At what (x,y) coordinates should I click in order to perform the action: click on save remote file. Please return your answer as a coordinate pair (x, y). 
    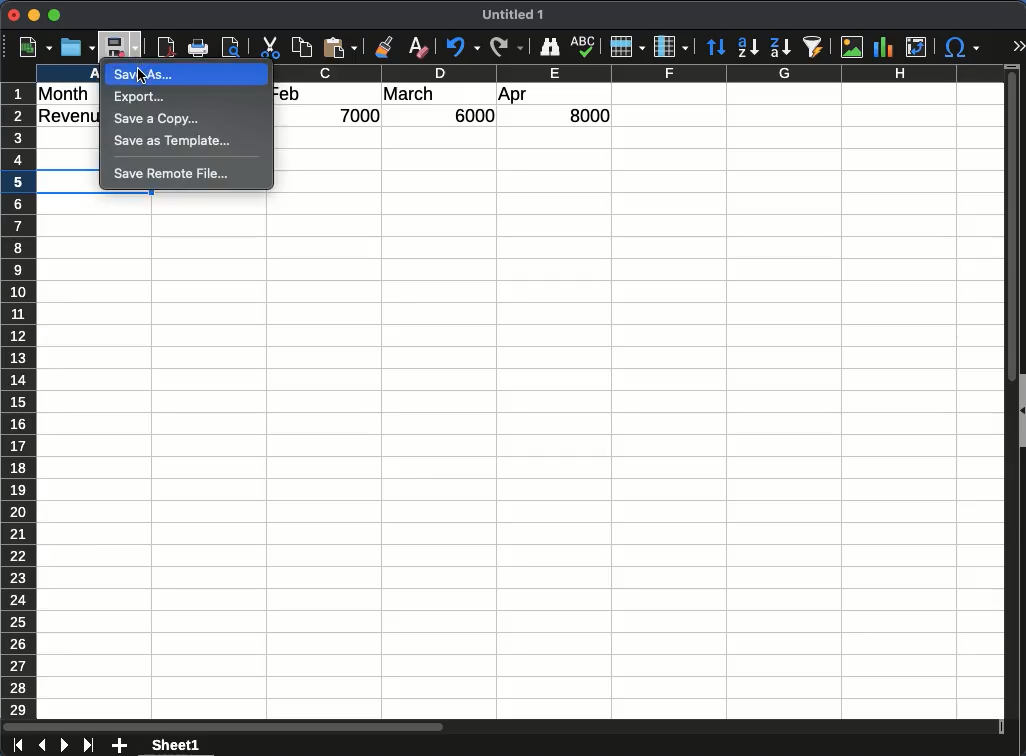
    Looking at the image, I should click on (172, 175).